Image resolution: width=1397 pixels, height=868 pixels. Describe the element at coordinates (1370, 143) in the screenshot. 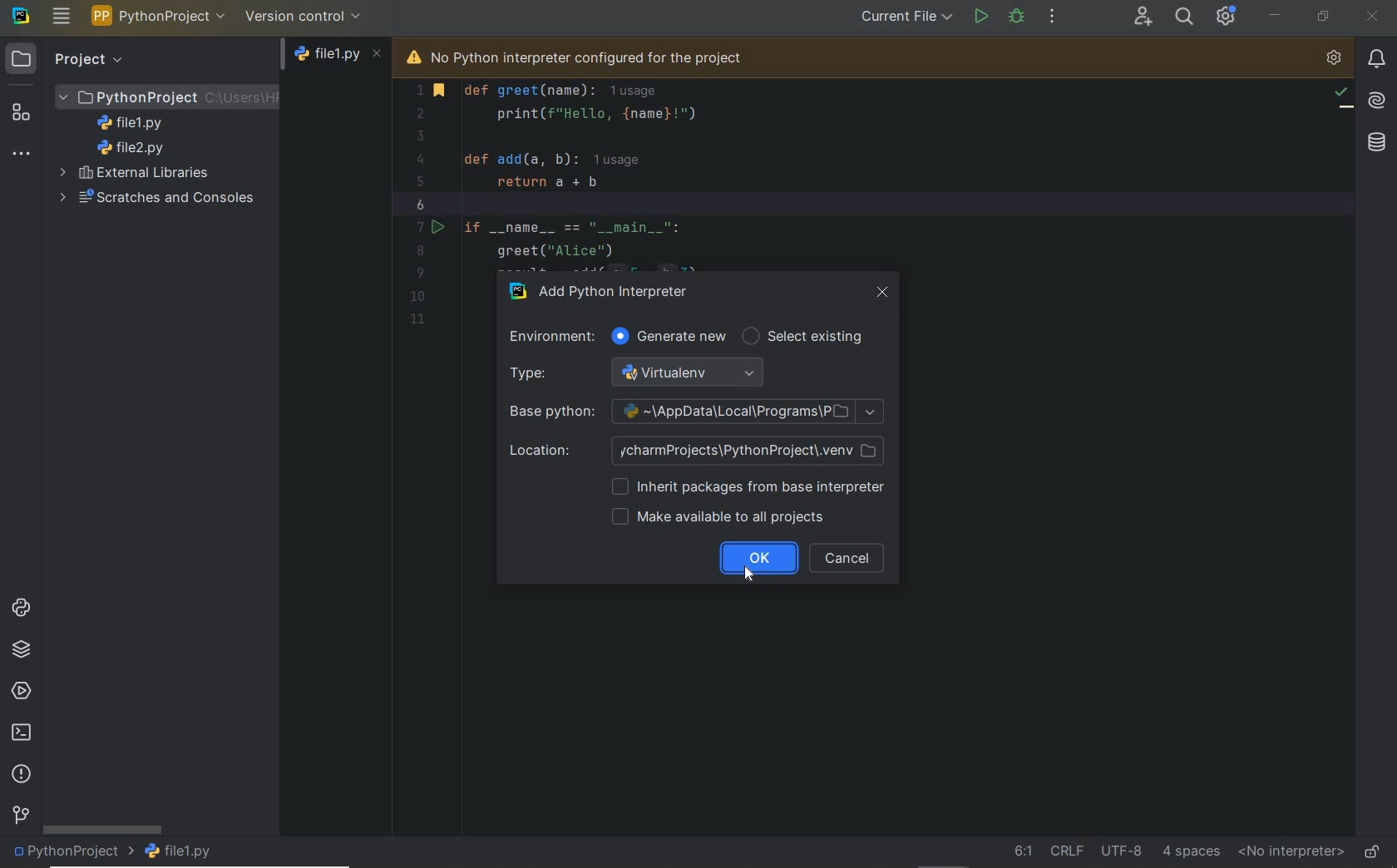

I see `database` at that location.